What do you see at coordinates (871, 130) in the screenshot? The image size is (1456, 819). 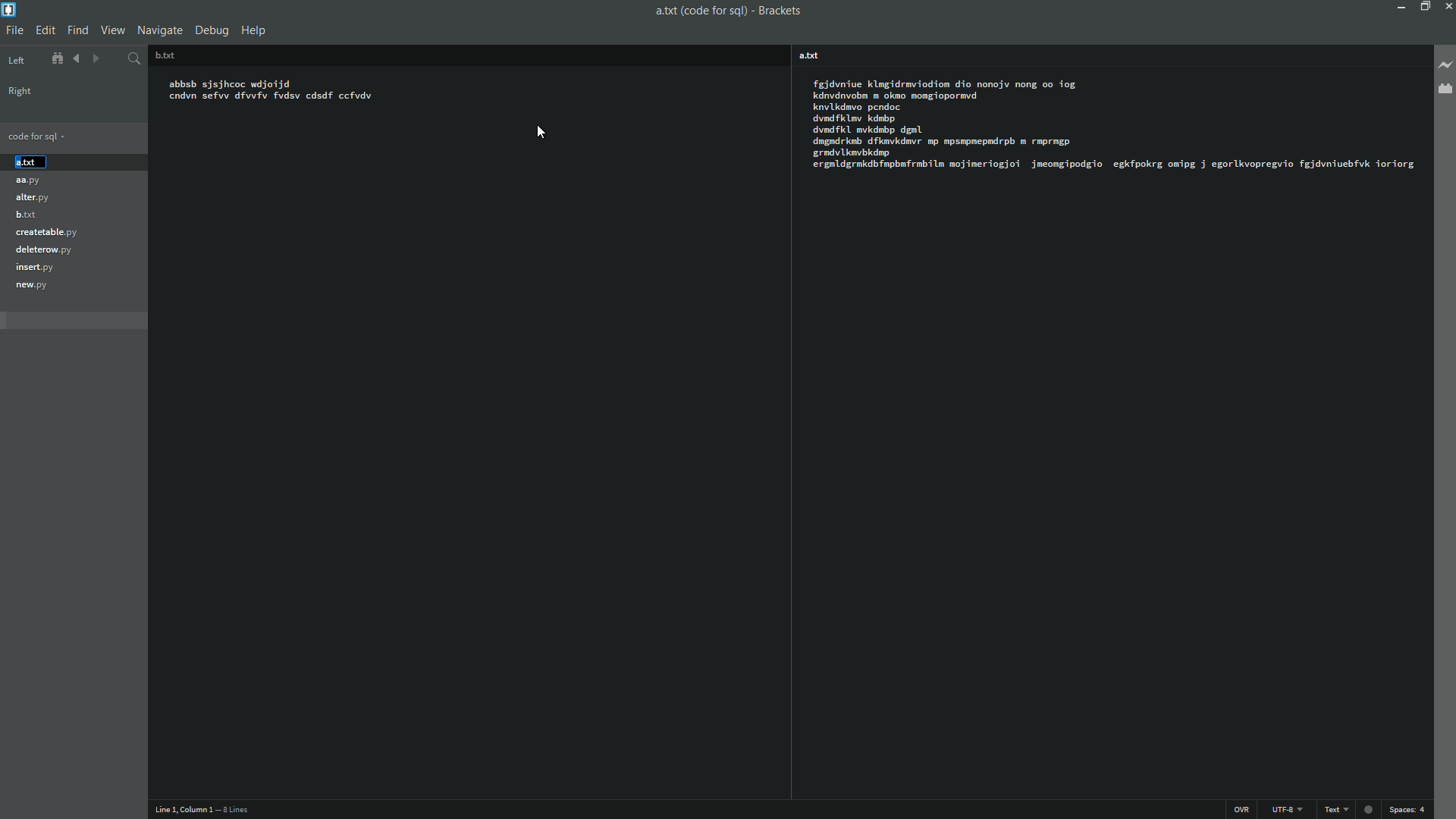 I see `dvmdfkl mvkdmbp dgml` at bounding box center [871, 130].